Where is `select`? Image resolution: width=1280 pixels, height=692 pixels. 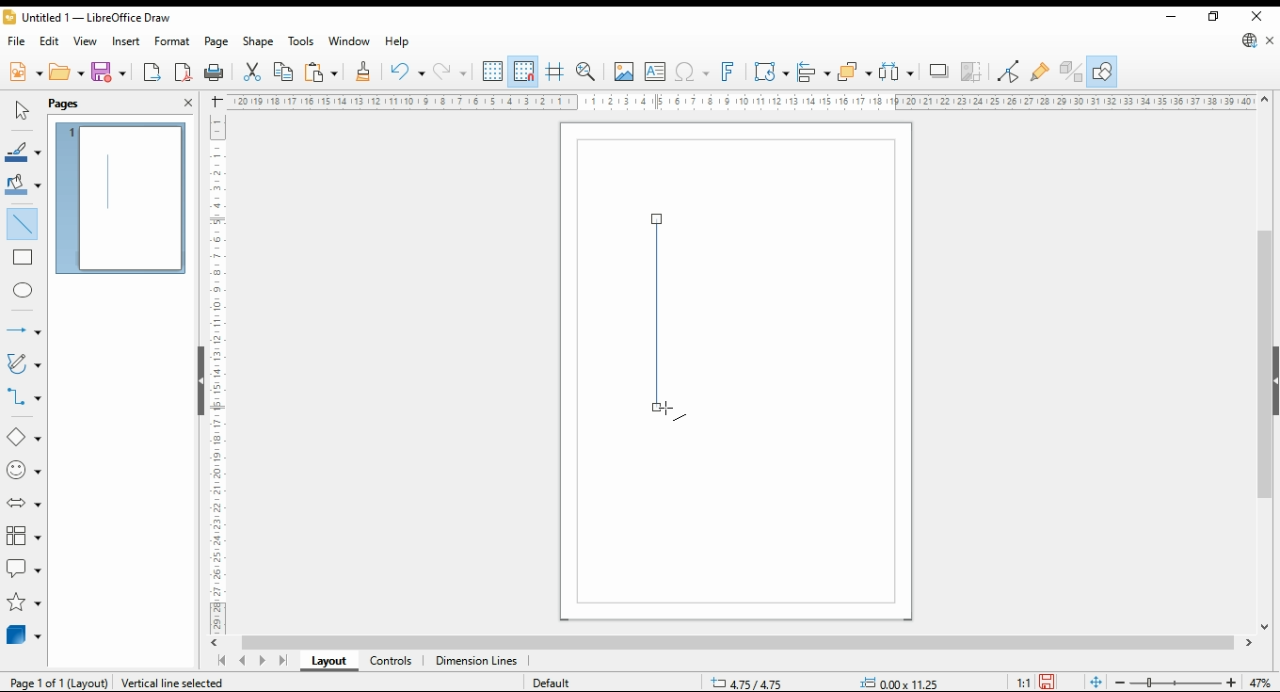
select is located at coordinates (19, 111).